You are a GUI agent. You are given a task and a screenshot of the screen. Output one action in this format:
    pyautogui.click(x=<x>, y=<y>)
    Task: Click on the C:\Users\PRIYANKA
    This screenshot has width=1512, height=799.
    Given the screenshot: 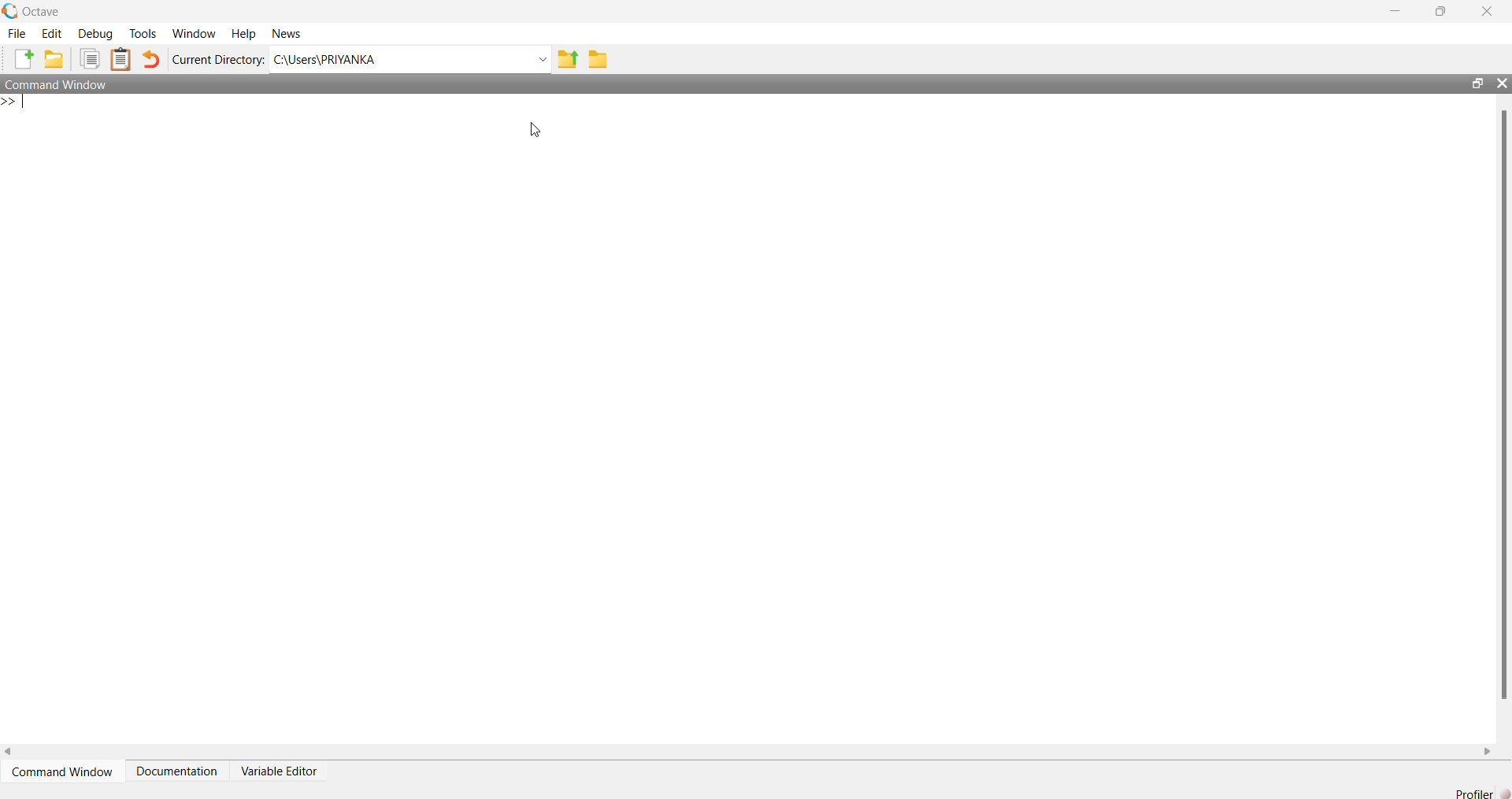 What is the action you would take?
    pyautogui.click(x=343, y=59)
    